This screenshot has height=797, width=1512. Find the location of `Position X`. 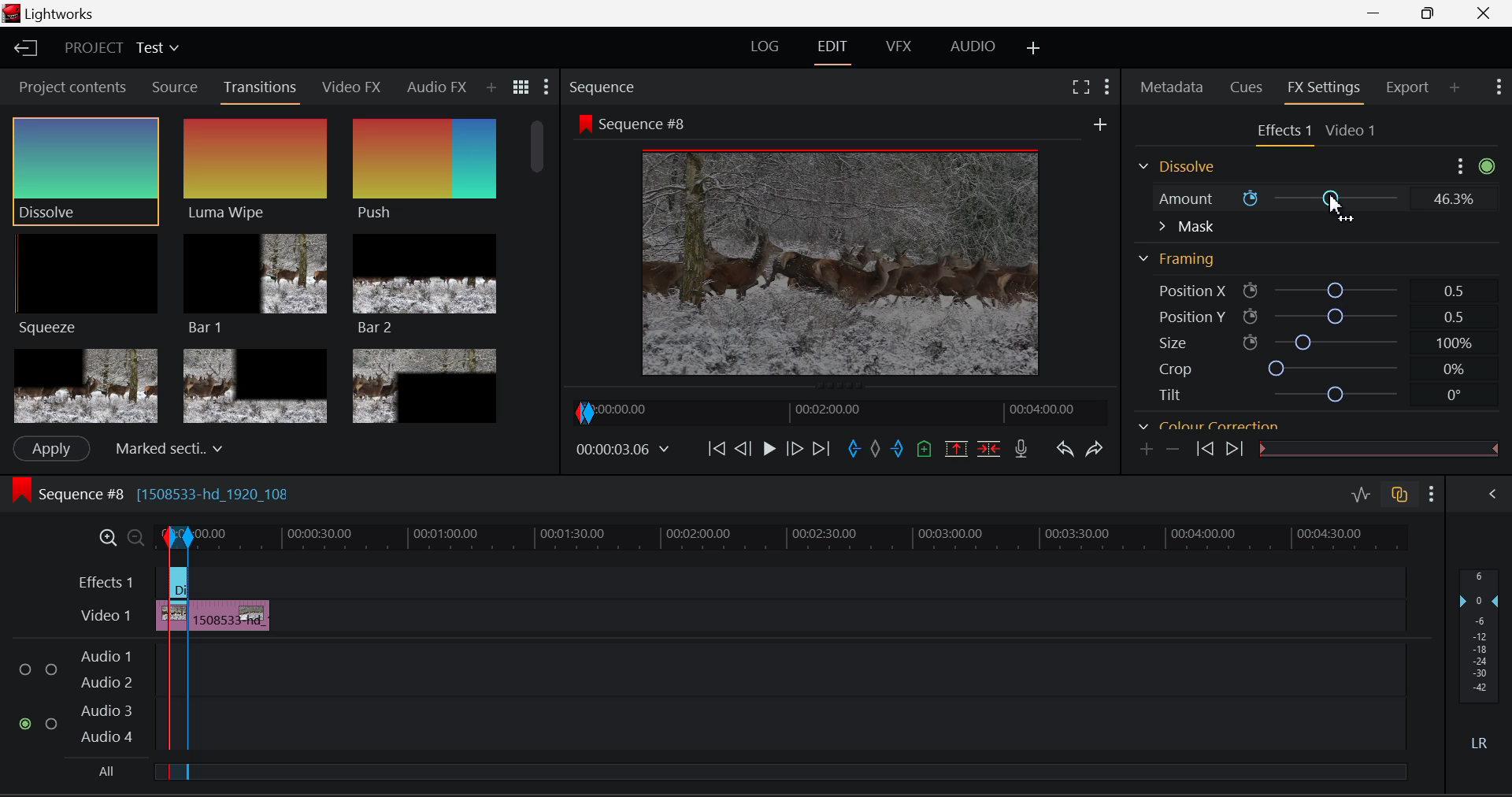

Position X is located at coordinates (1309, 288).